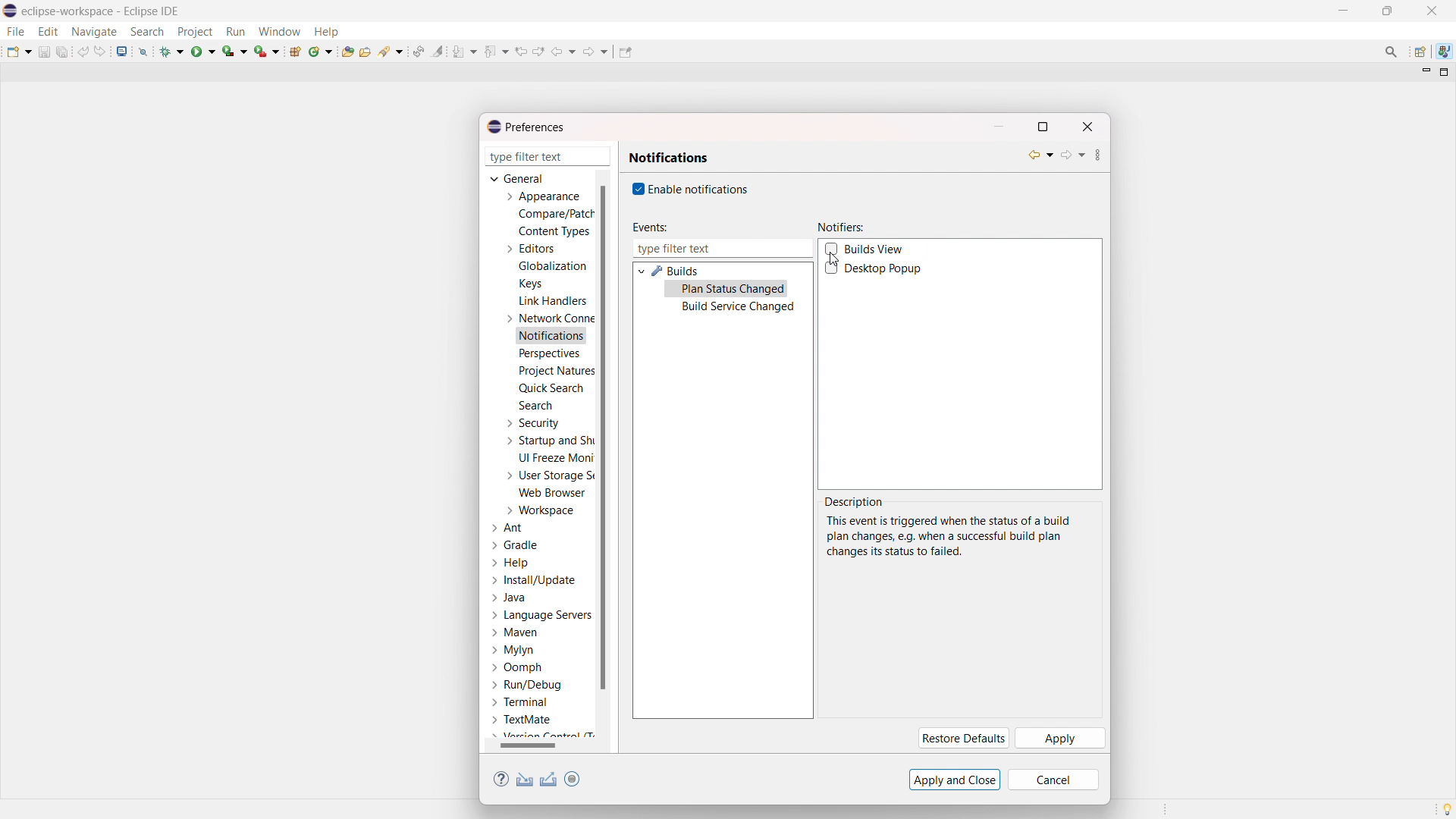 The image size is (1456, 819). I want to click on plan status changed, so click(735, 290).